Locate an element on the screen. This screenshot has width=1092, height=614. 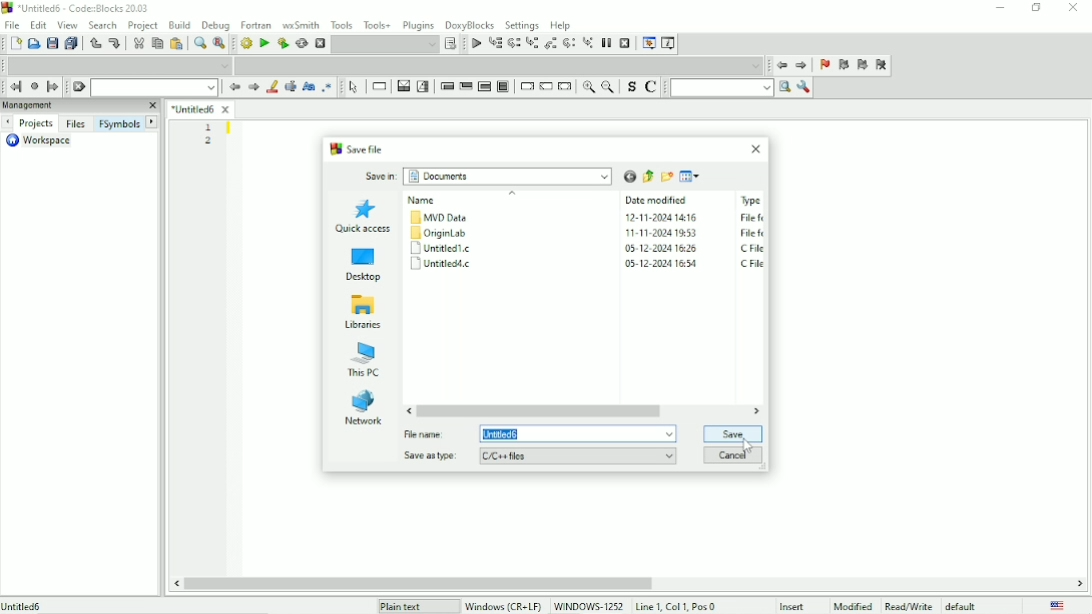
Drop down is located at coordinates (498, 65).